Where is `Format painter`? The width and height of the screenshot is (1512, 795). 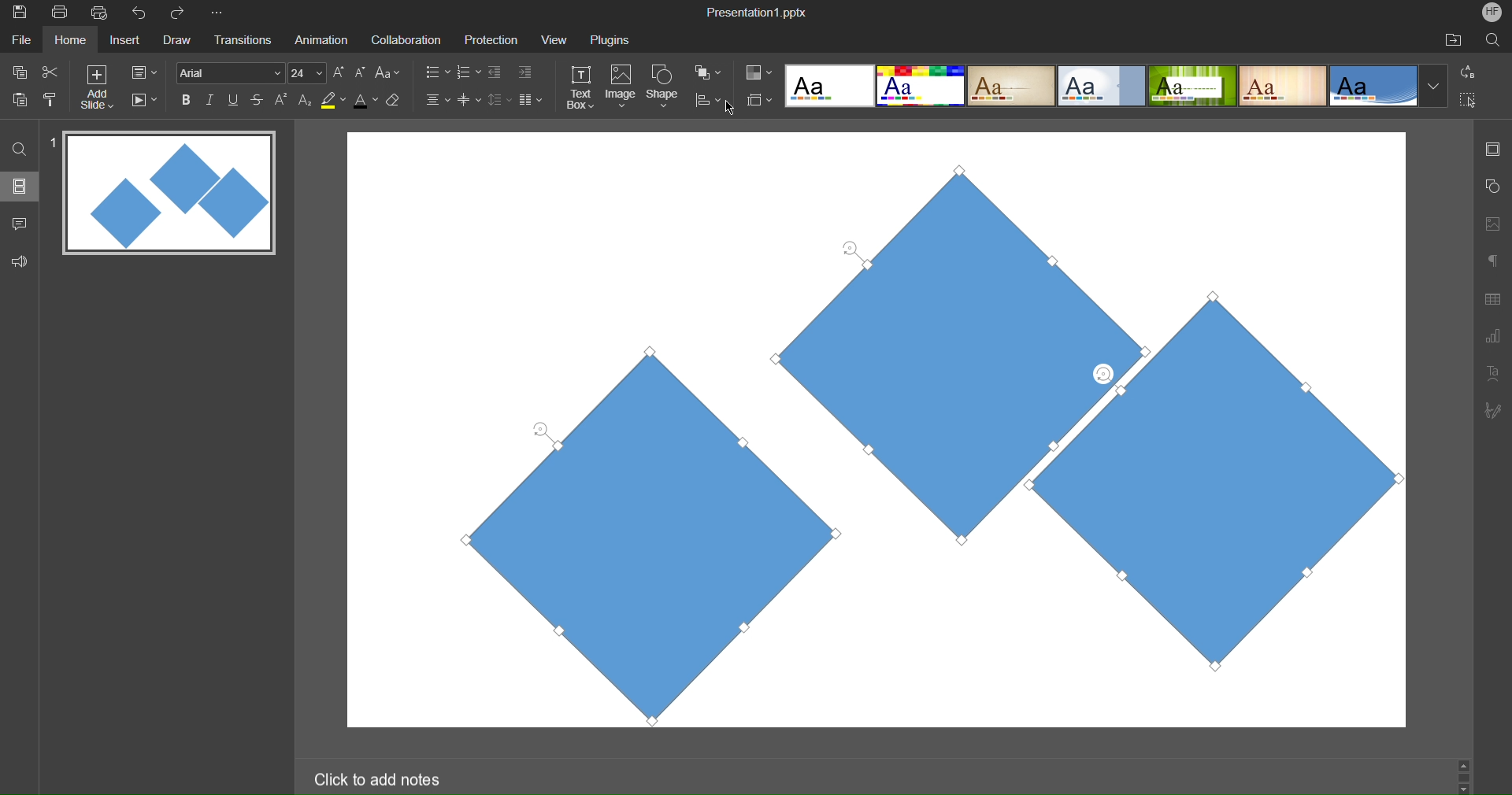 Format painter is located at coordinates (53, 99).